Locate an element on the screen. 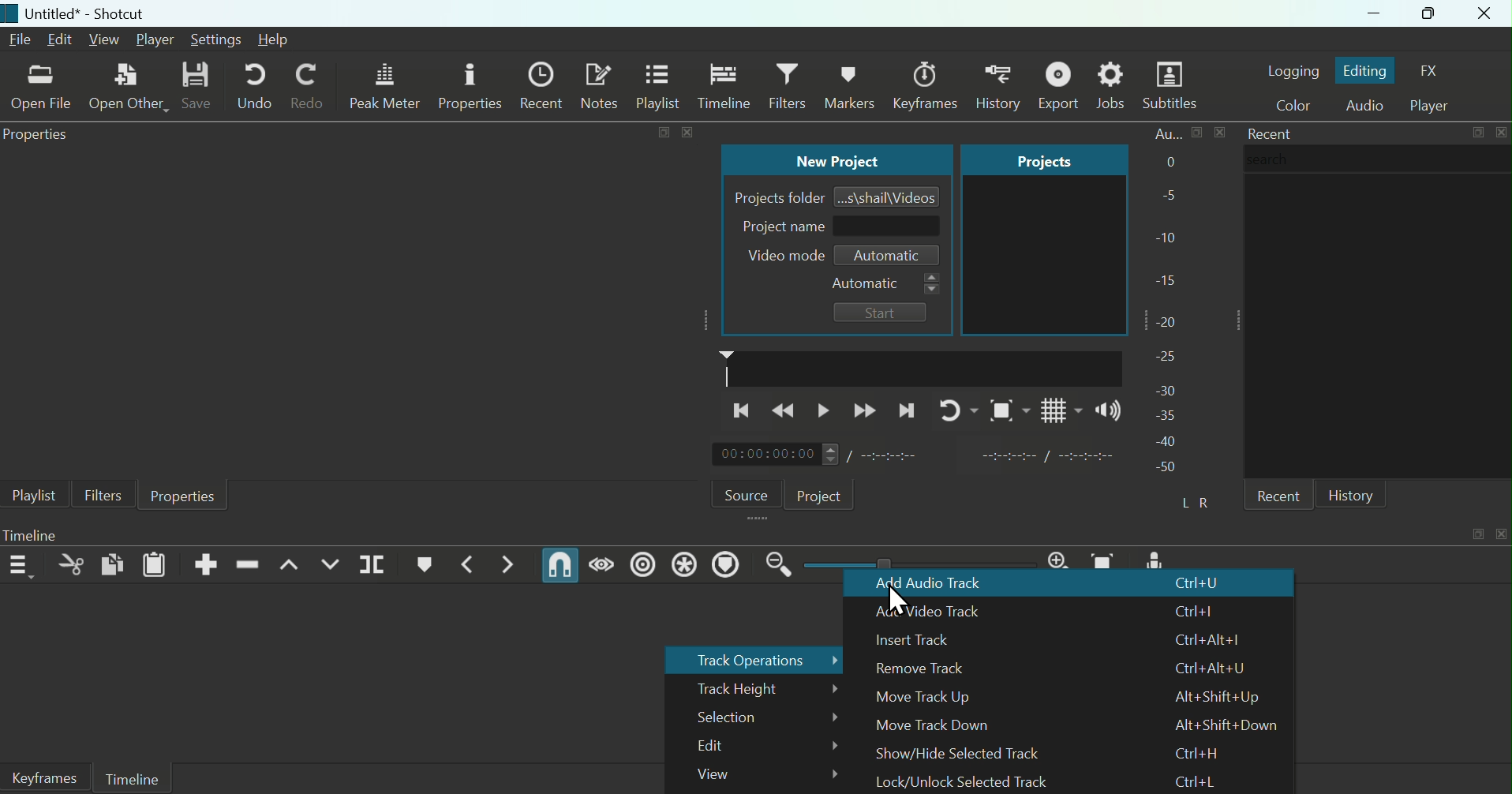 This screenshot has height=794, width=1512. Playlist is located at coordinates (30, 495).